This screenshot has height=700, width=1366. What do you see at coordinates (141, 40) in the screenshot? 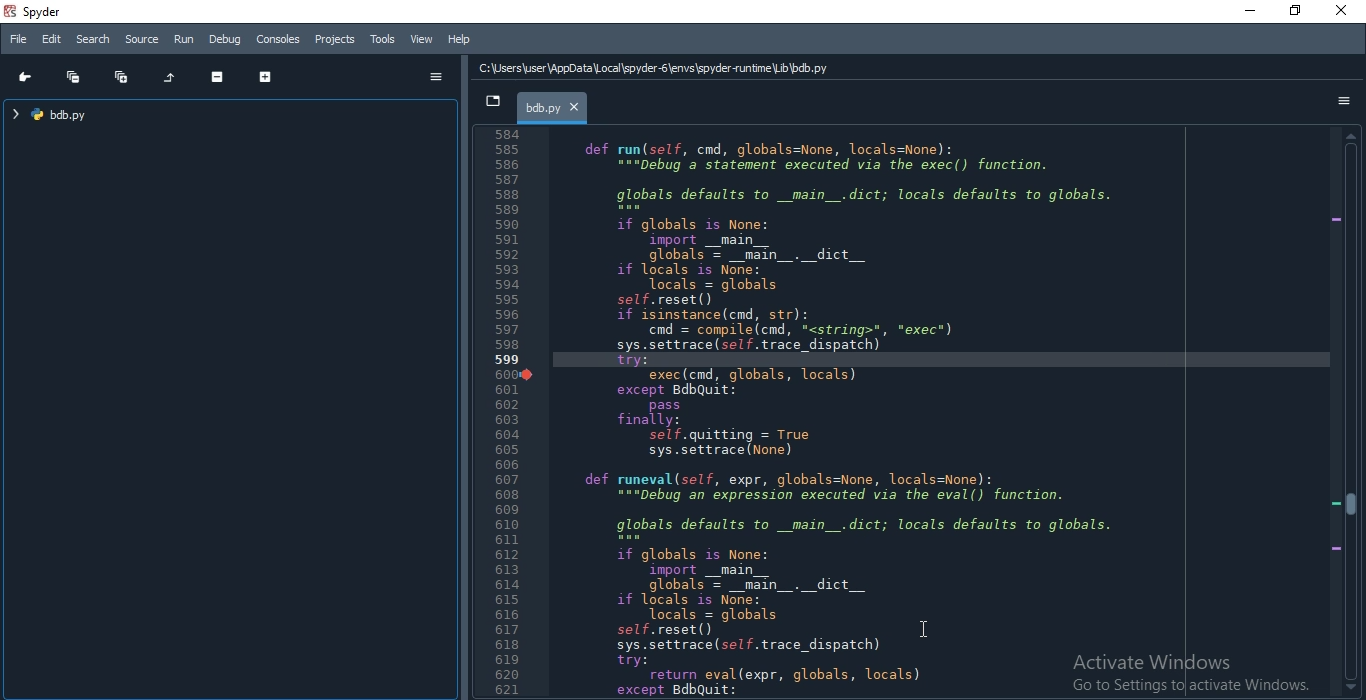
I see `Source` at bounding box center [141, 40].